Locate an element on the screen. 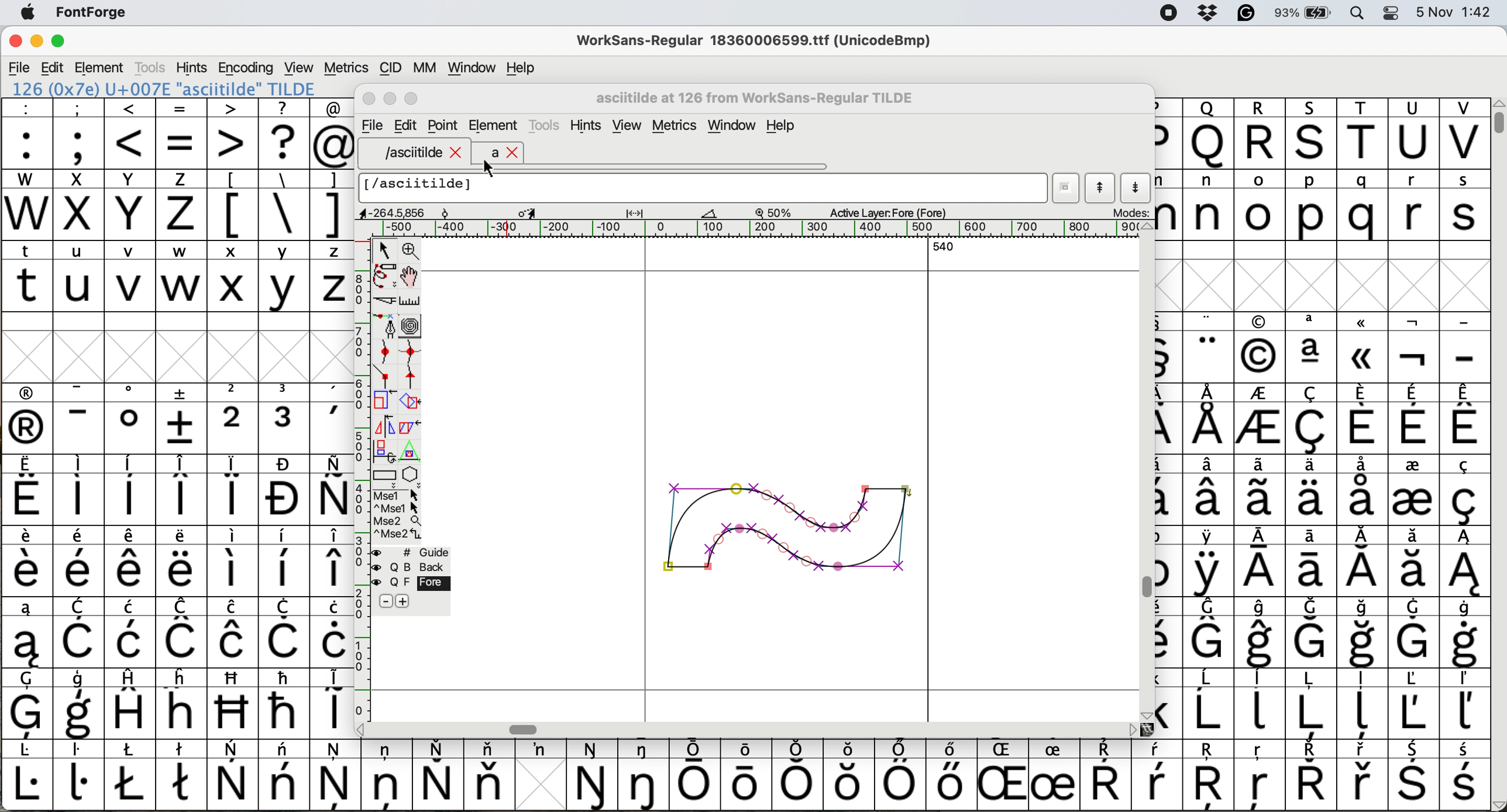  - is located at coordinates (1465, 349).